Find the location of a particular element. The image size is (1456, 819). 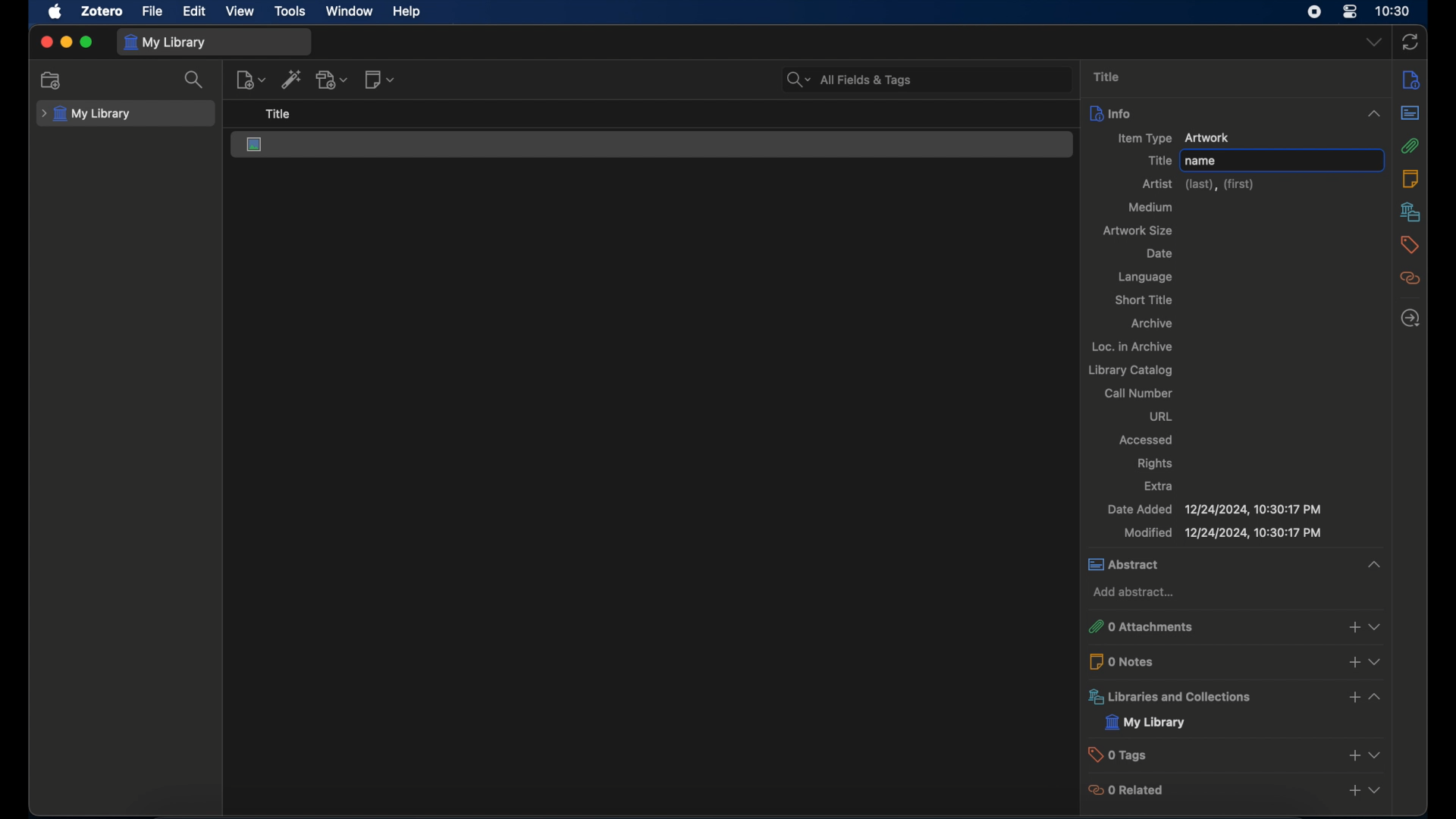

time is located at coordinates (1392, 11).